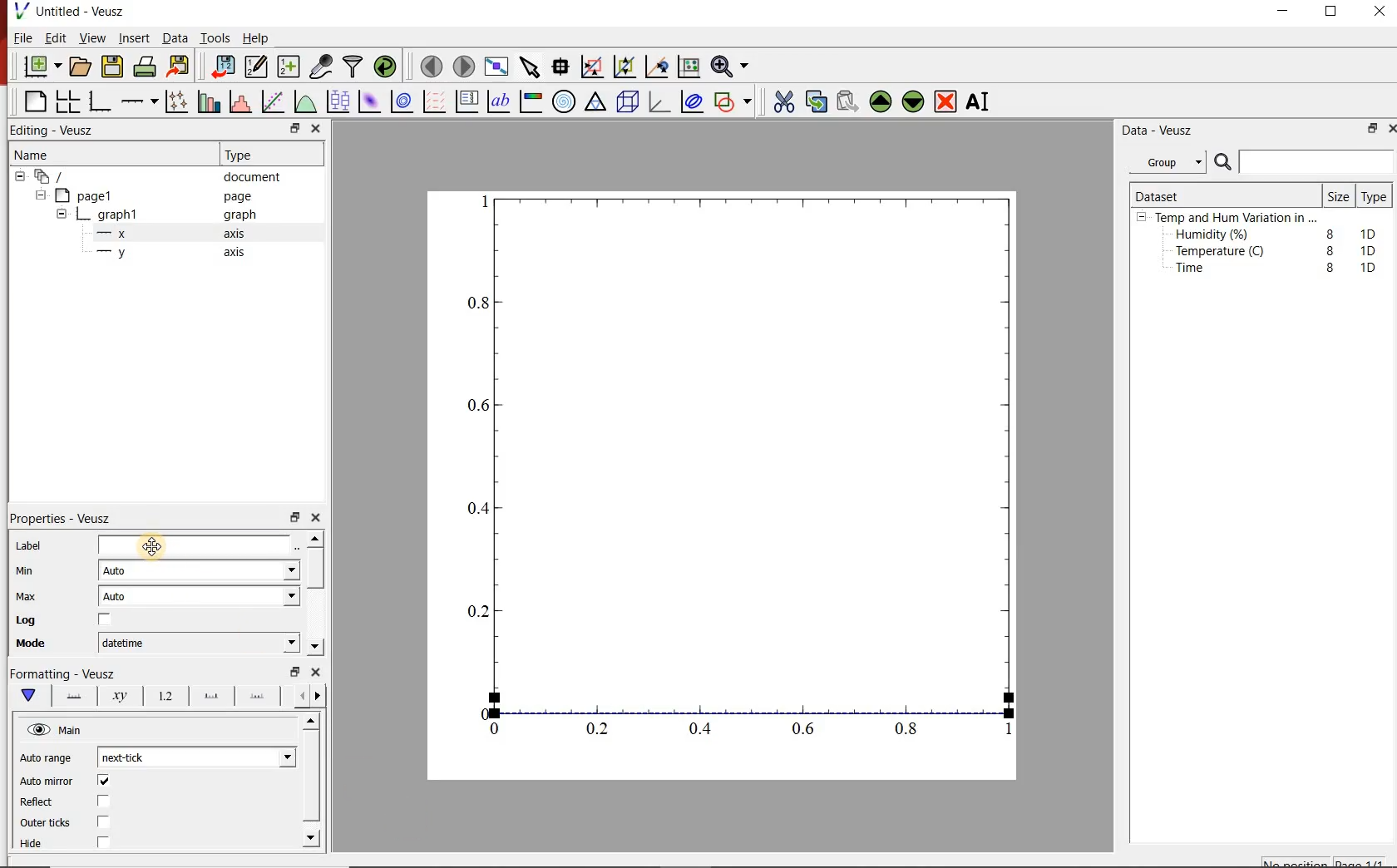 This screenshot has width=1397, height=868. Describe the element at coordinates (57, 130) in the screenshot. I see `Editing - Veusz` at that location.